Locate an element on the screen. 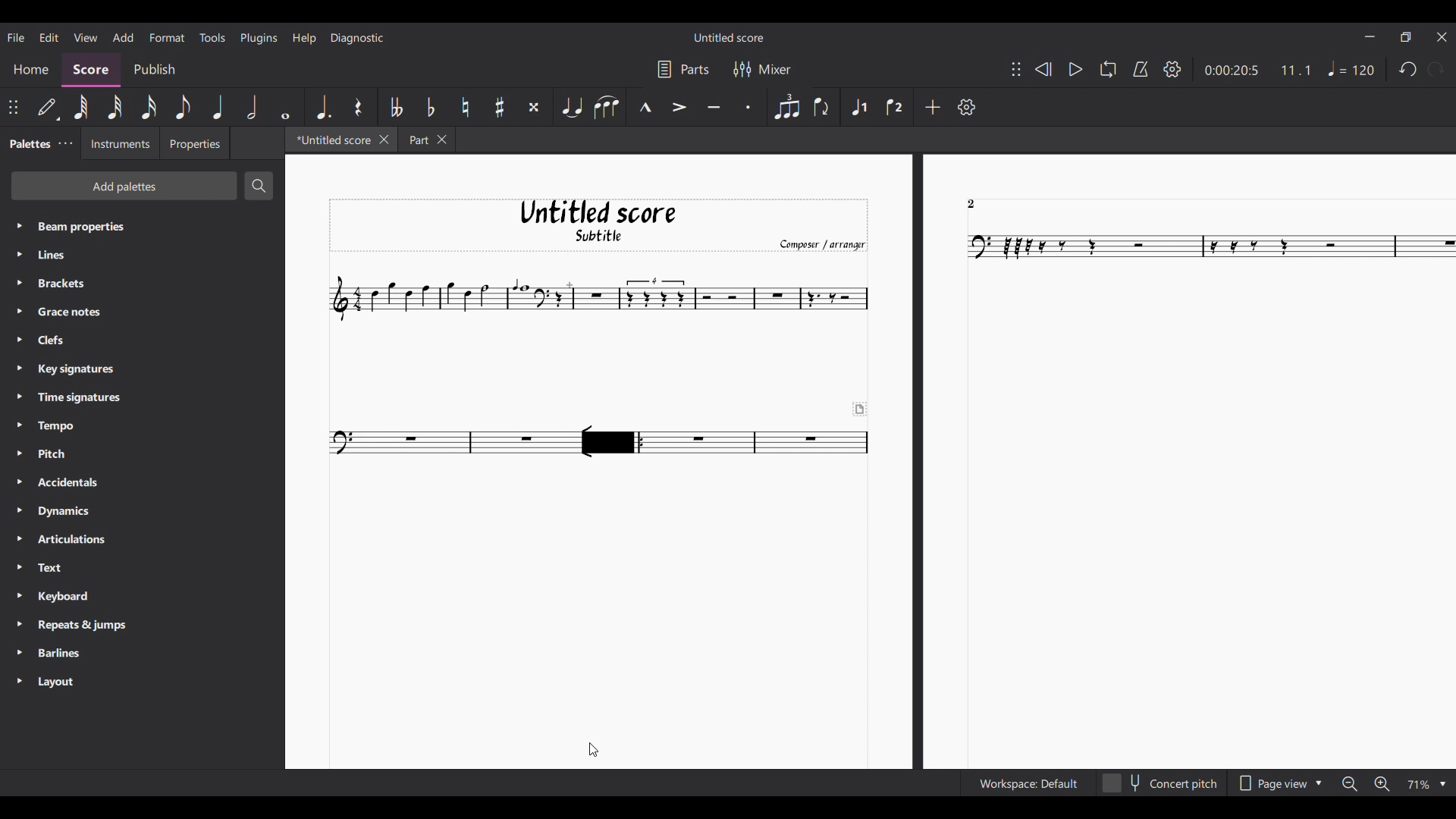 The image size is (1456, 819). Quarter note is located at coordinates (218, 107).